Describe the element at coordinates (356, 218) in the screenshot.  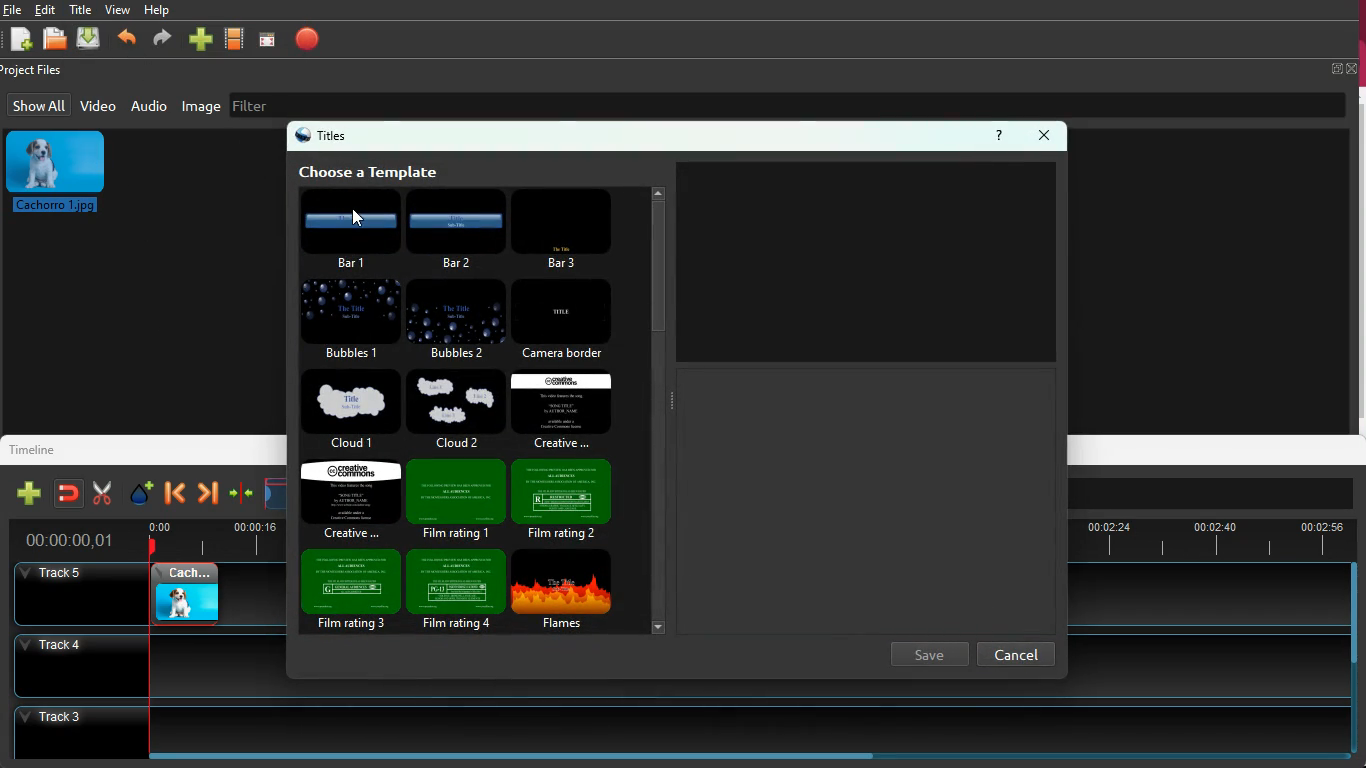
I see `cursor` at that location.